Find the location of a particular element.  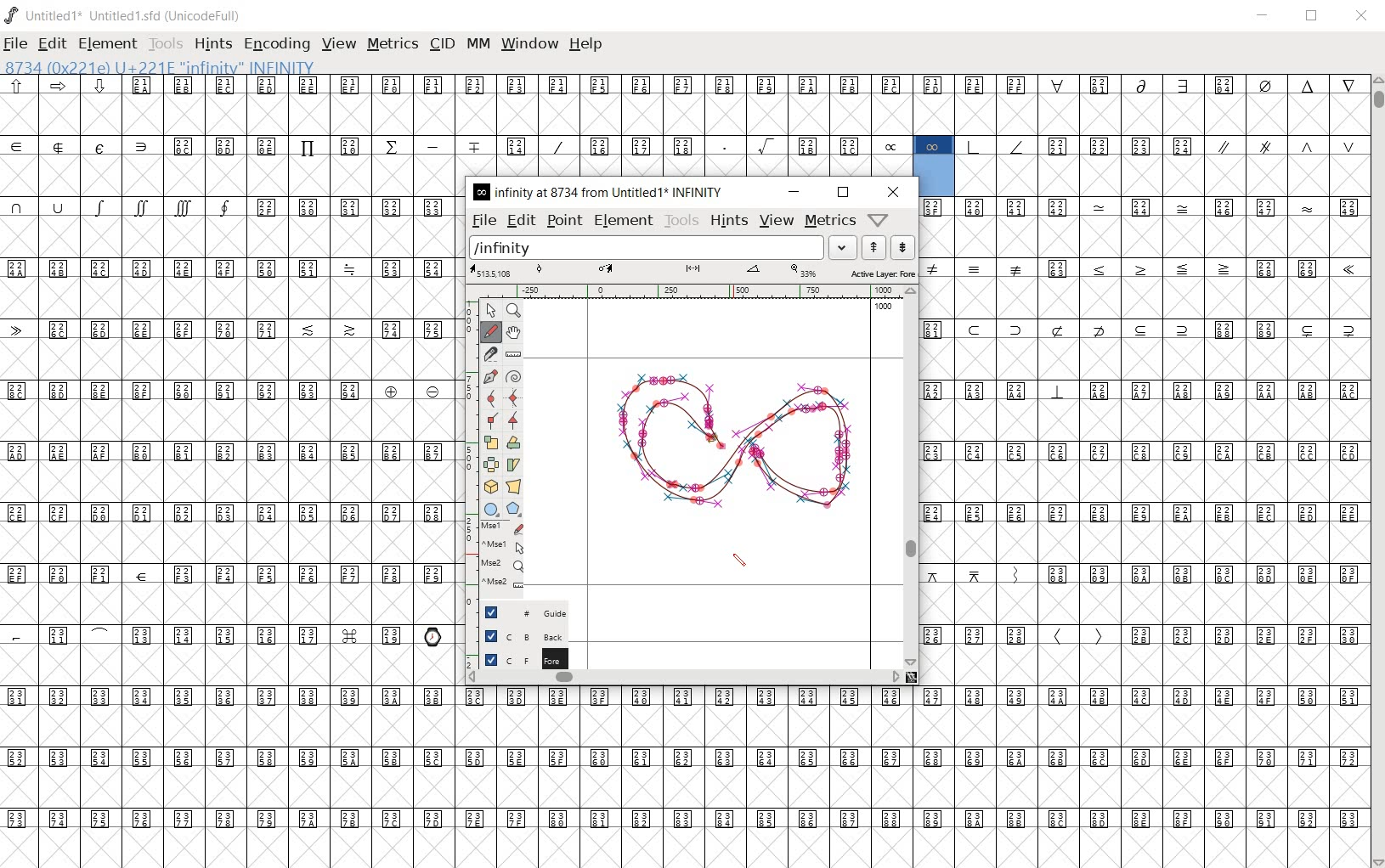

empty glyph slots is located at coordinates (227, 237).